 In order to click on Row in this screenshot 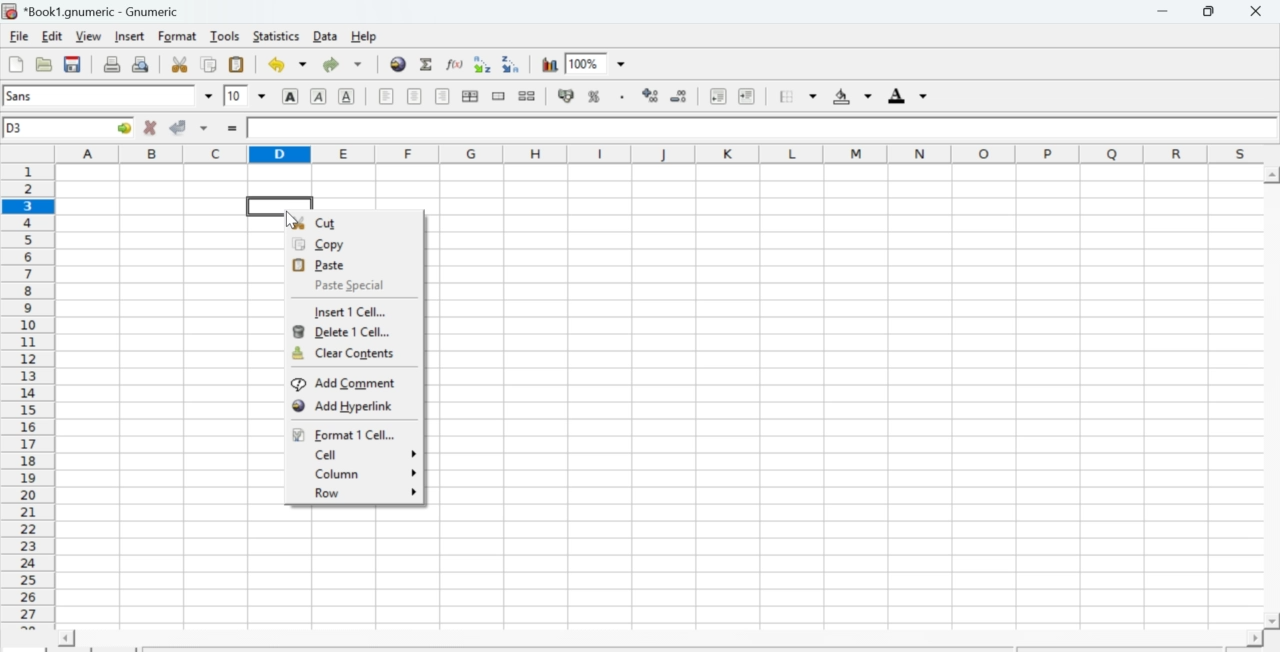, I will do `click(361, 494)`.